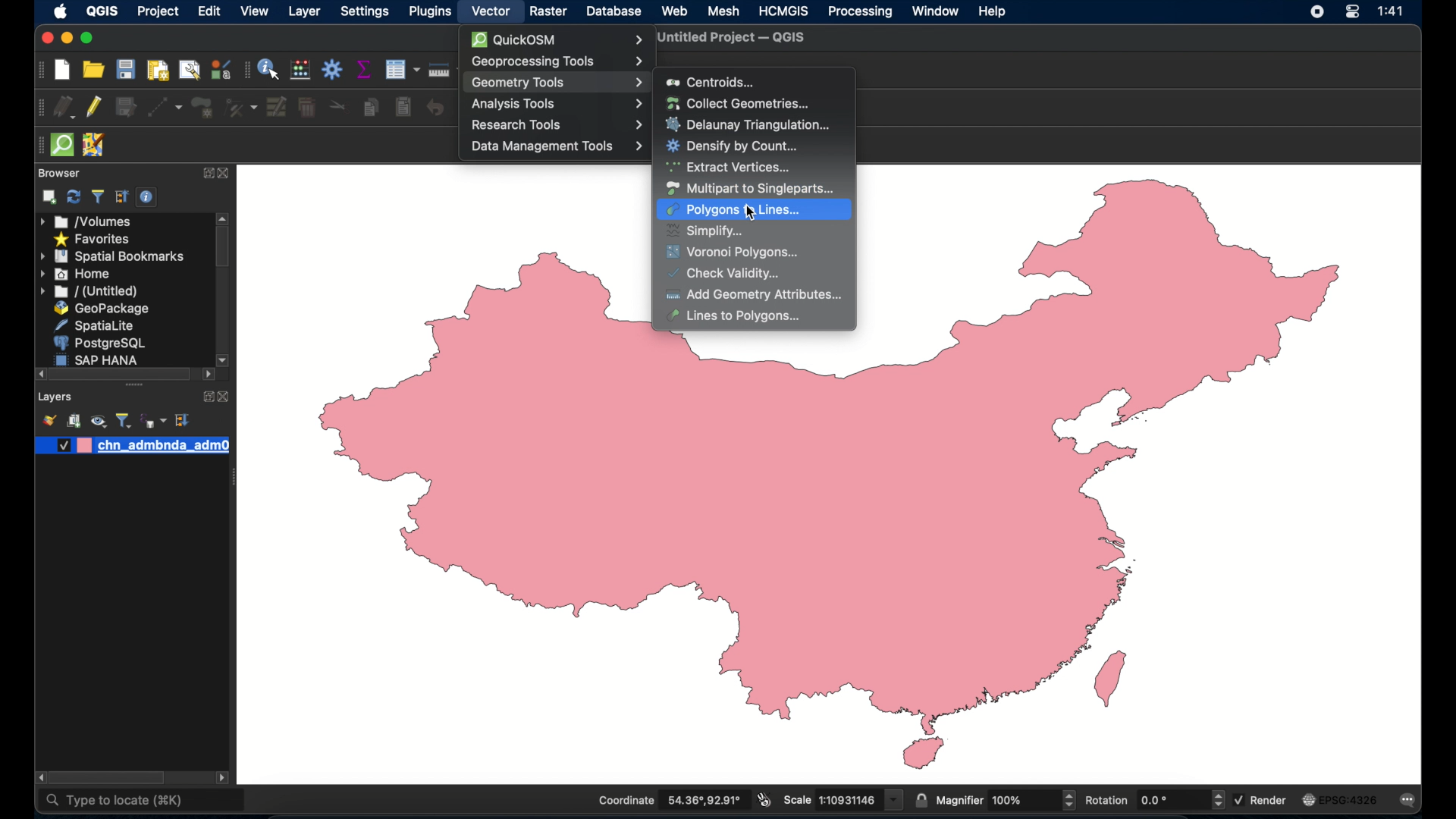 The height and width of the screenshot is (819, 1456). Describe the element at coordinates (206, 397) in the screenshot. I see `expand` at that location.